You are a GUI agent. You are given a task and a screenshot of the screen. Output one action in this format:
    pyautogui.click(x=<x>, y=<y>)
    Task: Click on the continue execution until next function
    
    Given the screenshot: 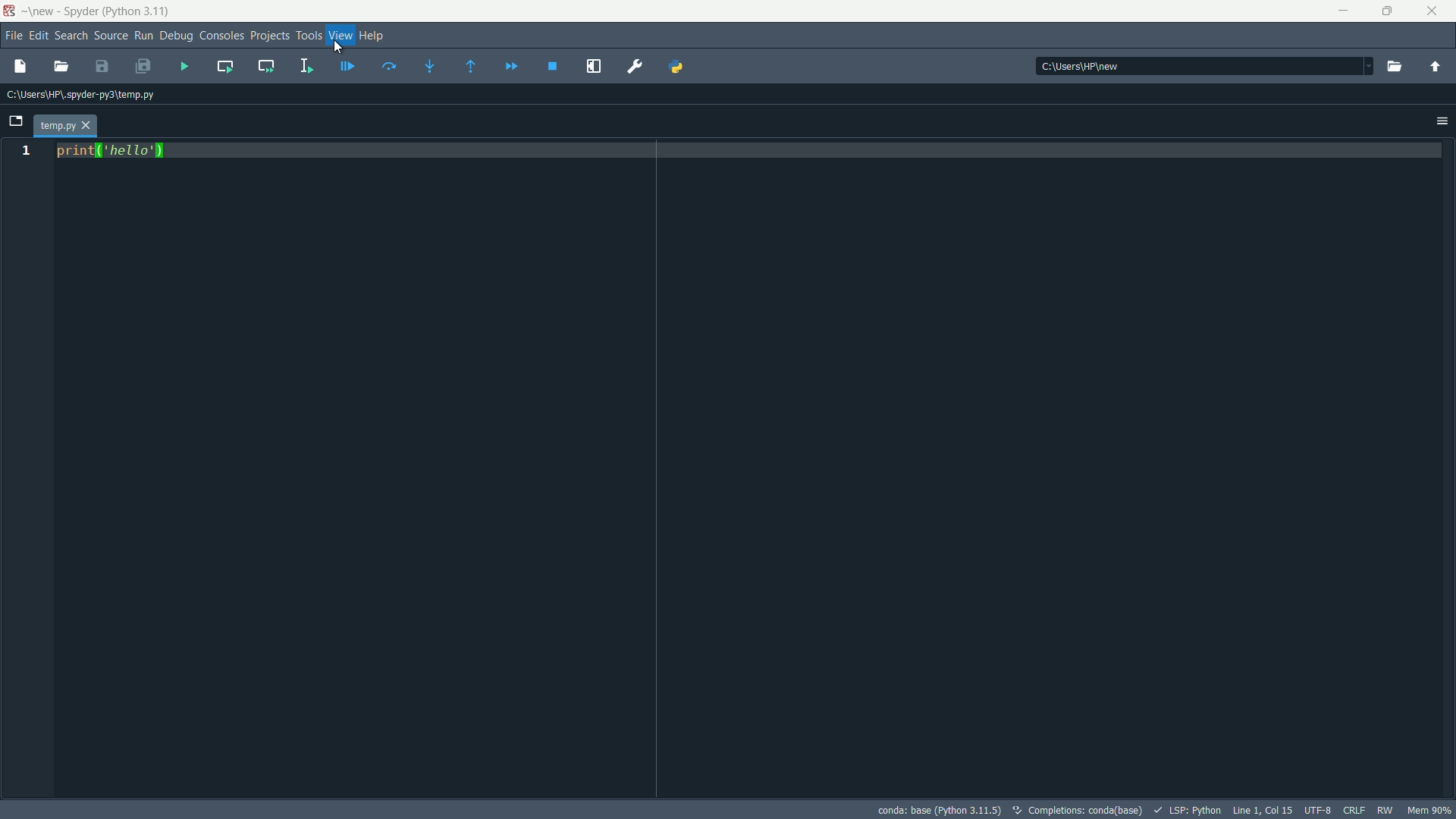 What is the action you would take?
    pyautogui.click(x=472, y=66)
    